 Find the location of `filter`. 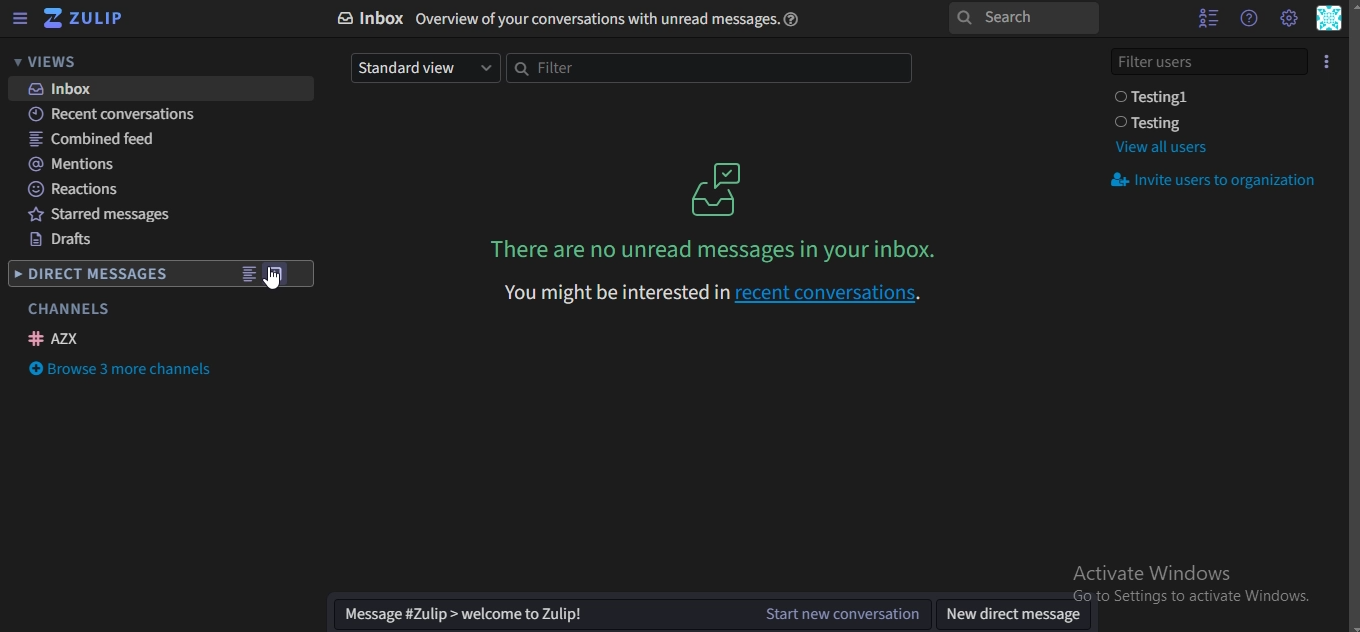

filter is located at coordinates (706, 69).